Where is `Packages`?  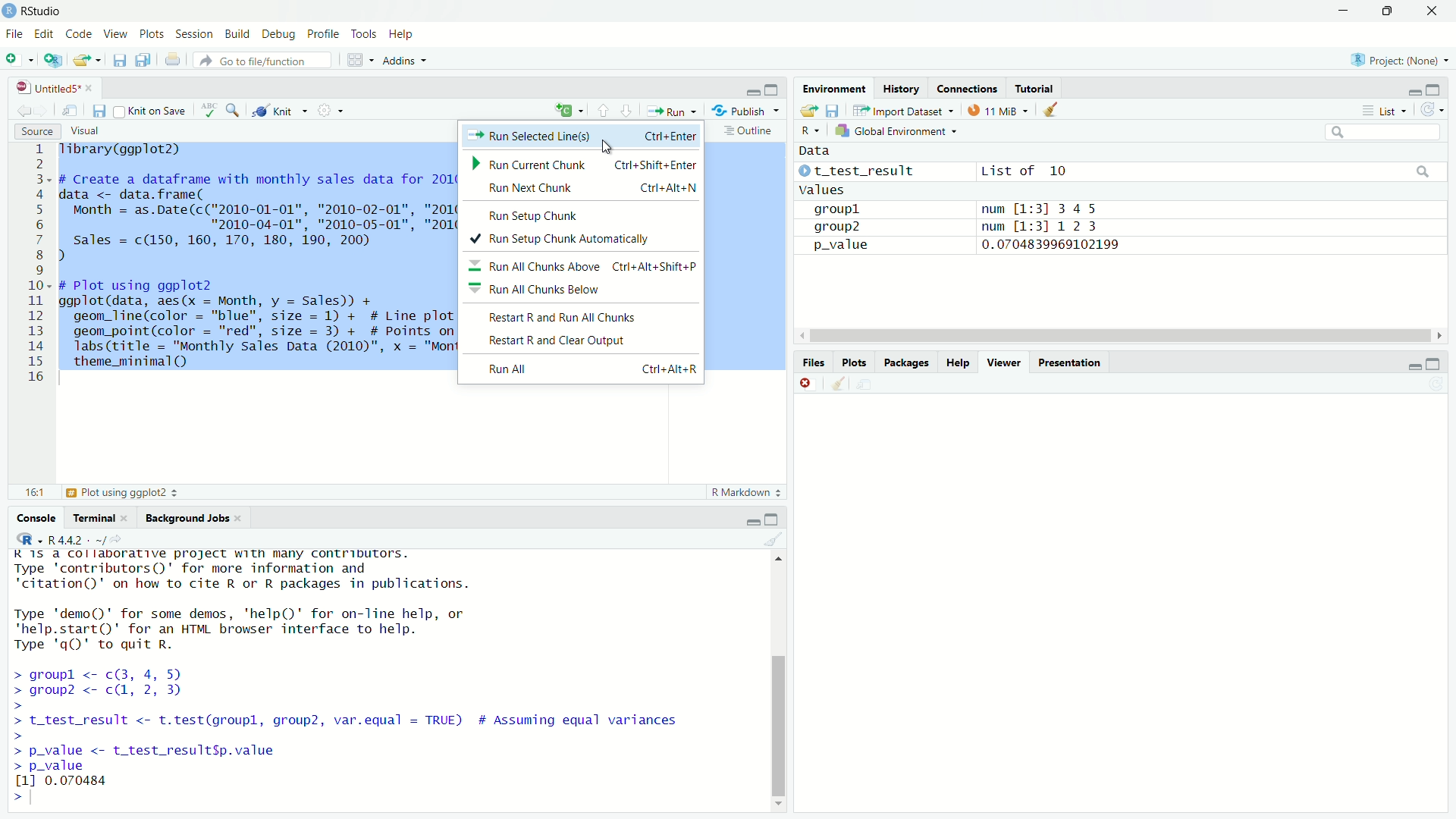
Packages is located at coordinates (908, 361).